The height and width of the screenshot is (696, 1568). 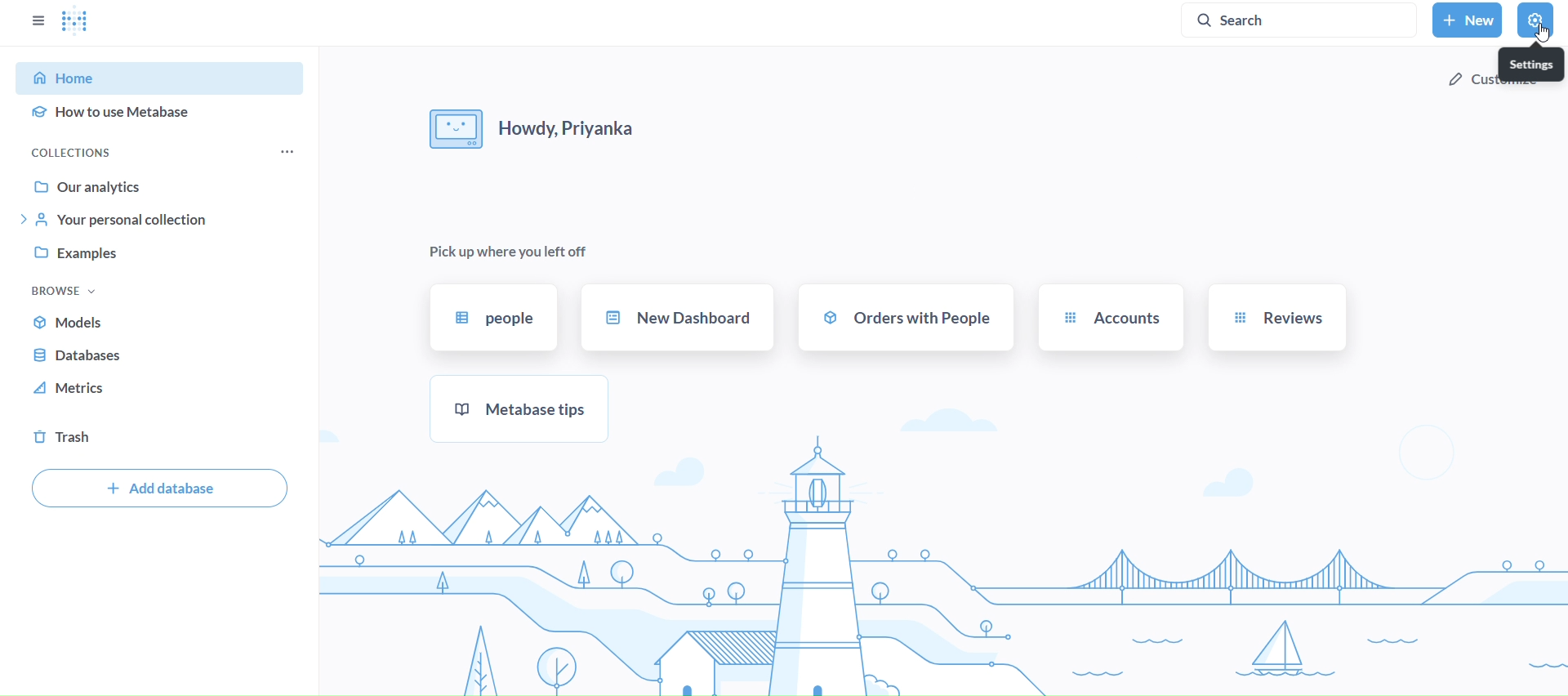 I want to click on orders with people, so click(x=906, y=317).